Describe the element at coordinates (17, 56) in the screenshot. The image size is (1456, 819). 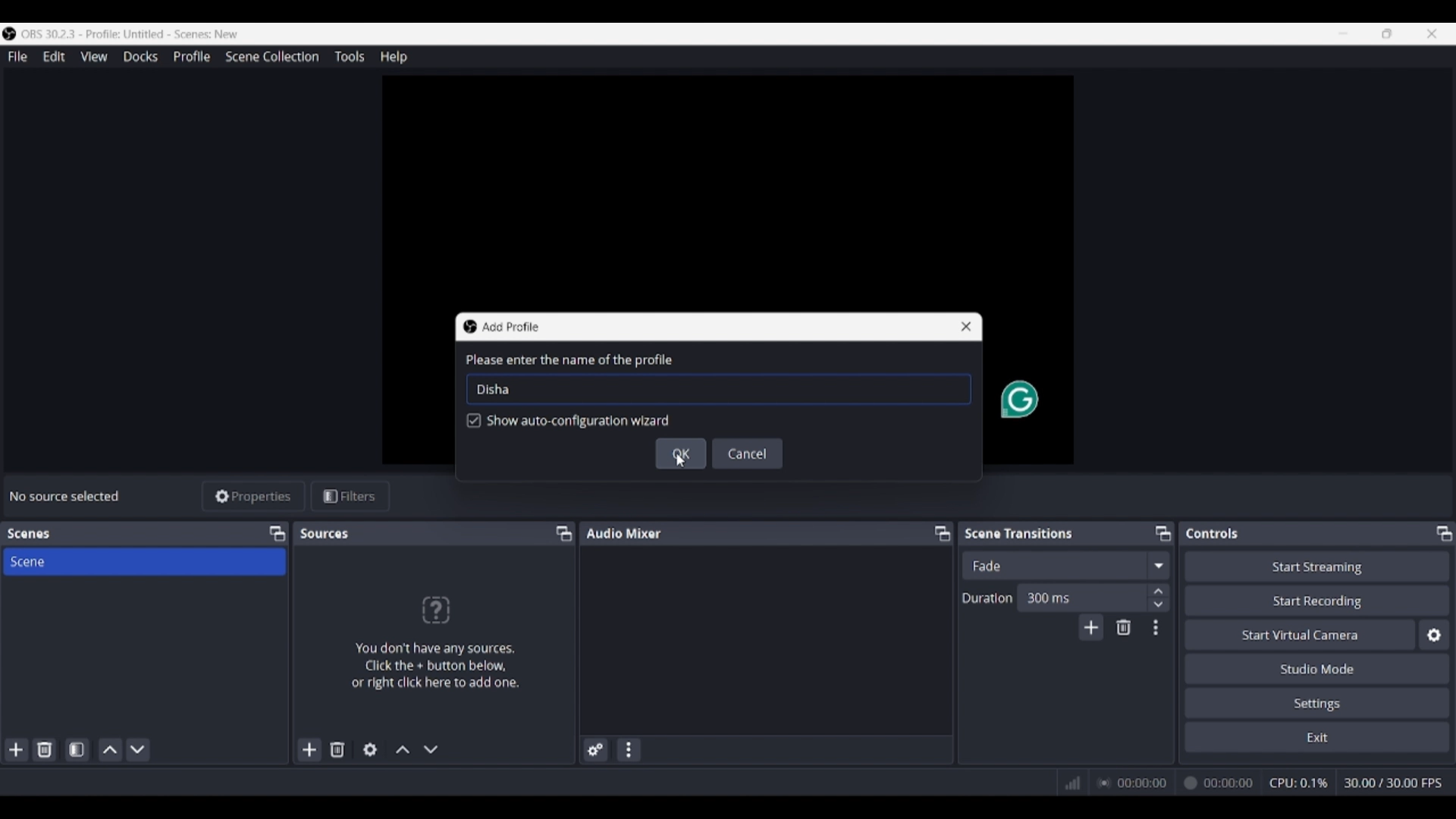
I see `File menu` at that location.